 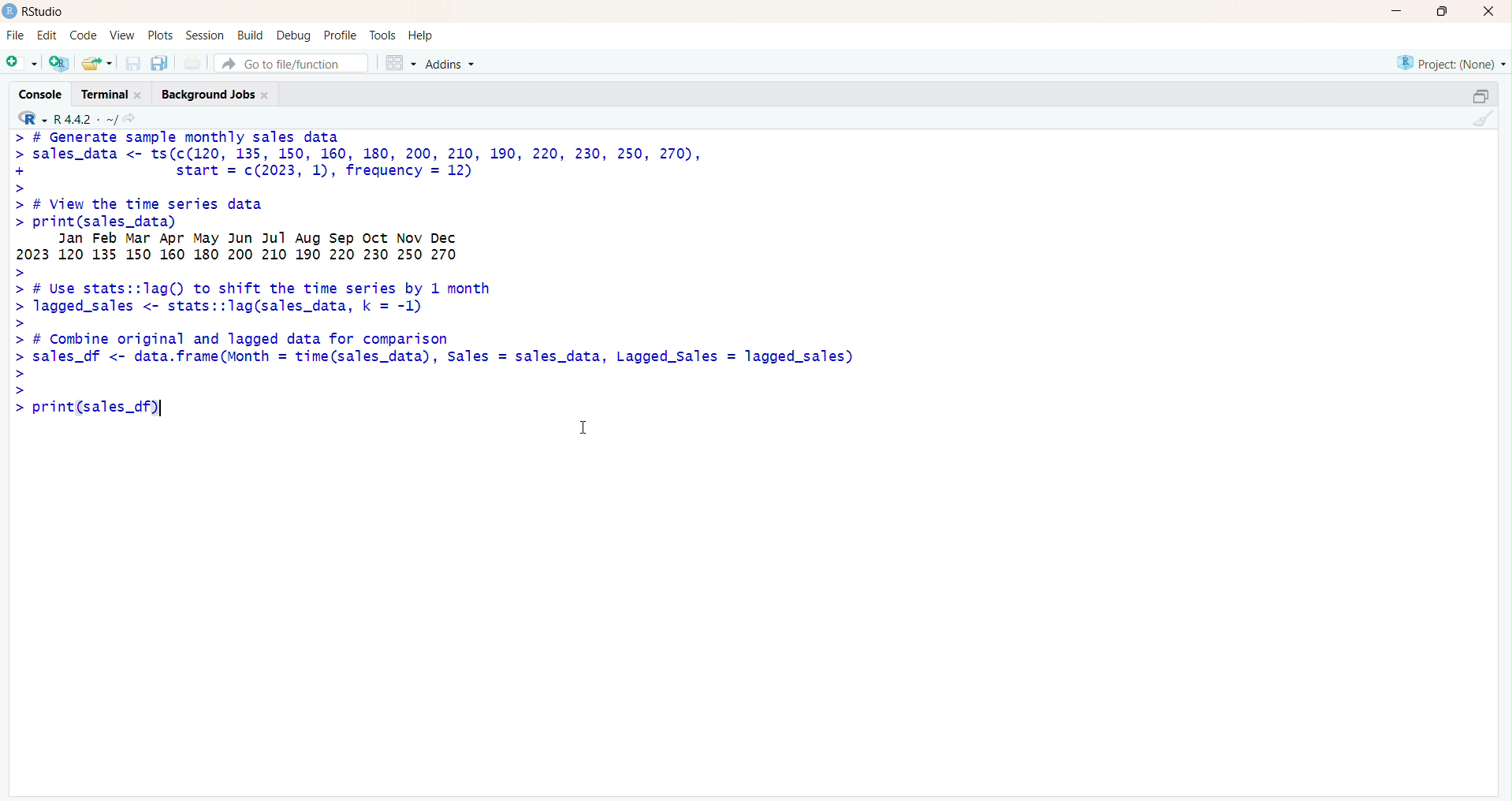 What do you see at coordinates (61, 63) in the screenshot?
I see `create a new project` at bounding box center [61, 63].